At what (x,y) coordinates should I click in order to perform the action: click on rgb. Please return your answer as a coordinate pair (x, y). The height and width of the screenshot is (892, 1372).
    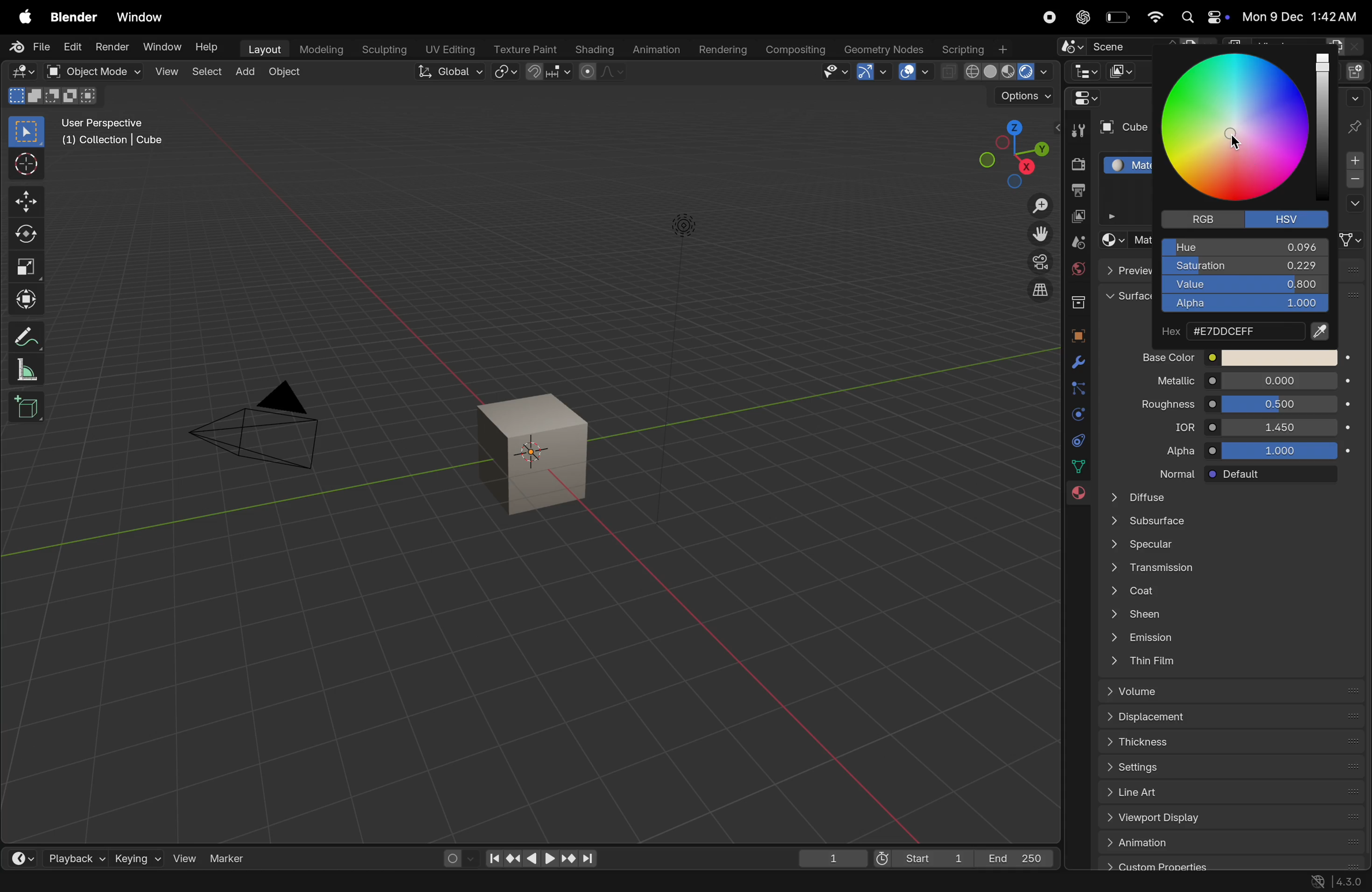
    Looking at the image, I should click on (1199, 219).